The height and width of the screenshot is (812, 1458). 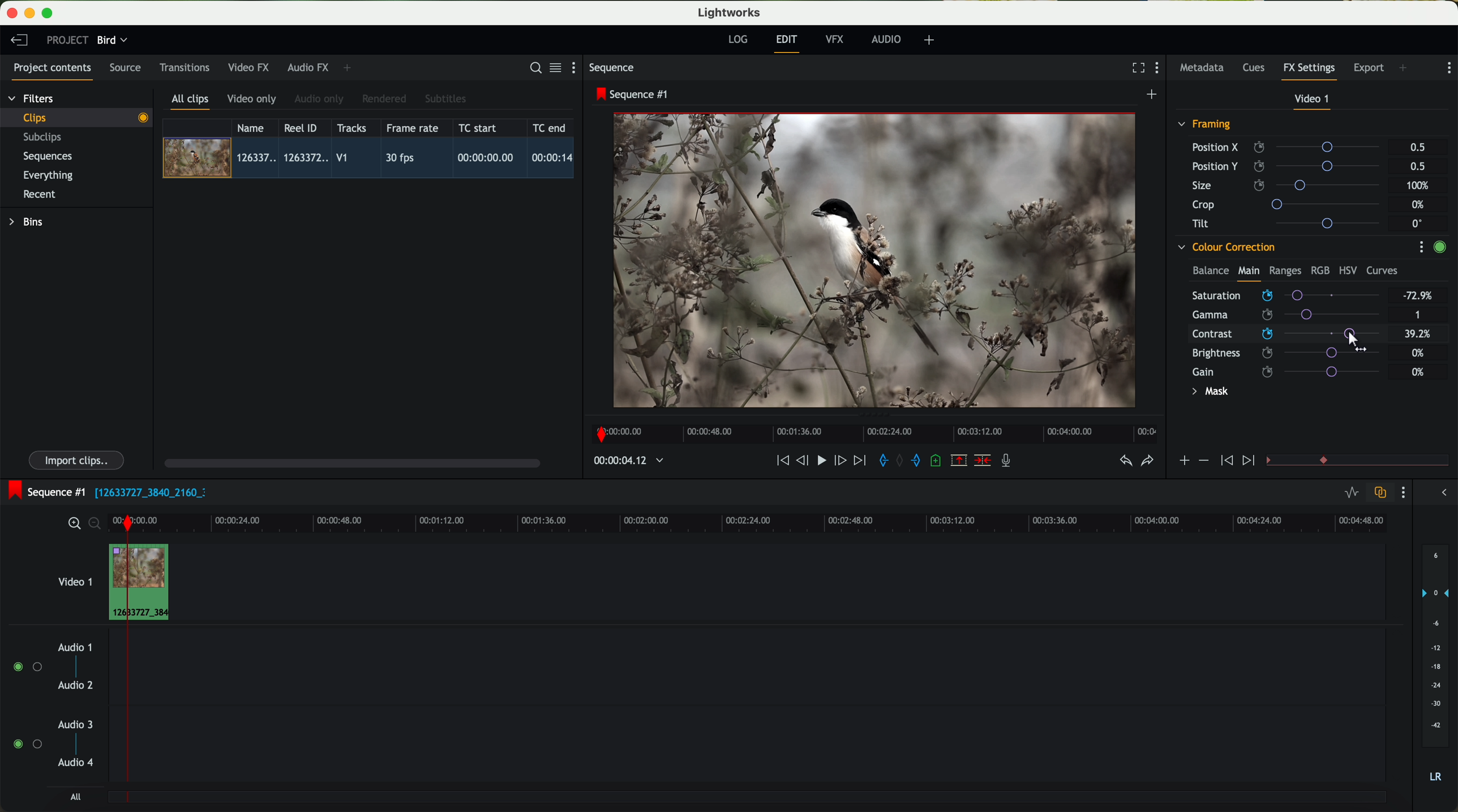 What do you see at coordinates (255, 128) in the screenshot?
I see `name` at bounding box center [255, 128].